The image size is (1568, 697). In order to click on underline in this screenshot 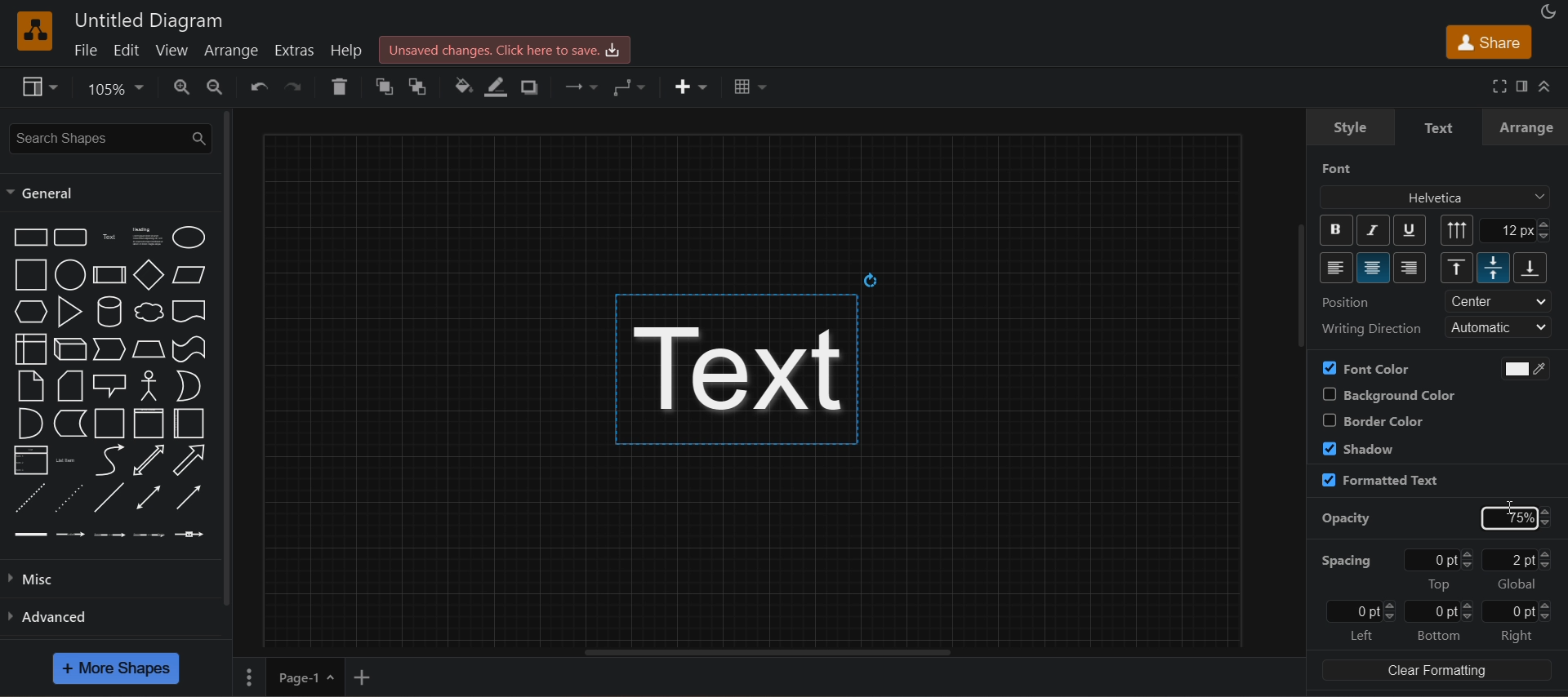, I will do `click(1410, 229)`.